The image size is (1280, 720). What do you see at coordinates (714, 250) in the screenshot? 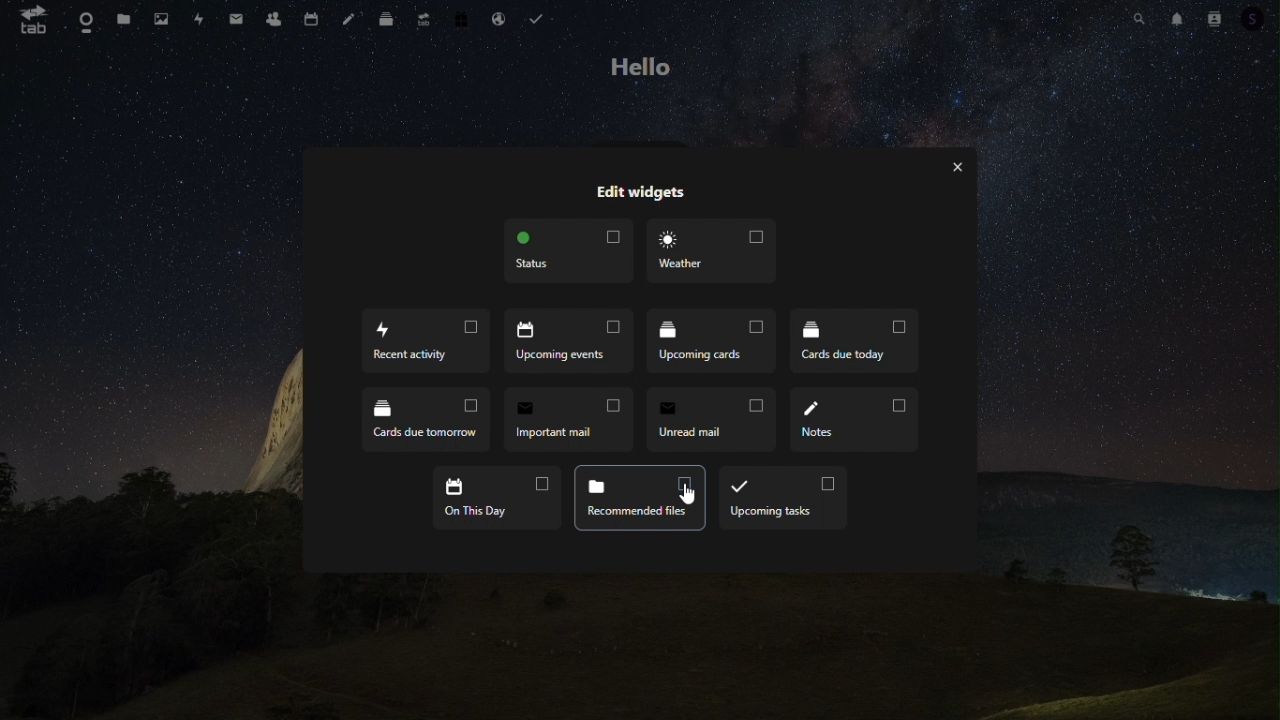
I see `weather` at bounding box center [714, 250].